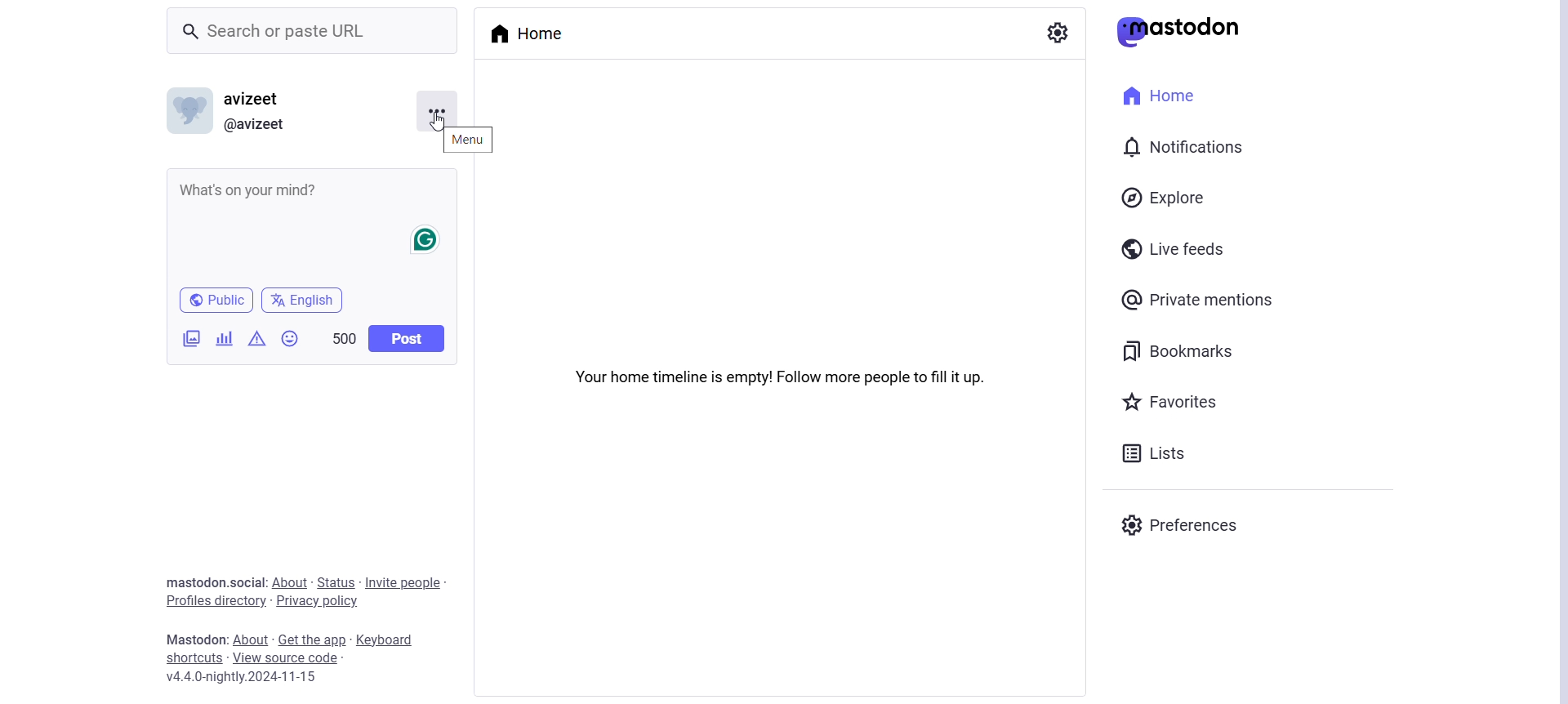  Describe the element at coordinates (468, 140) in the screenshot. I see `Menu` at that location.